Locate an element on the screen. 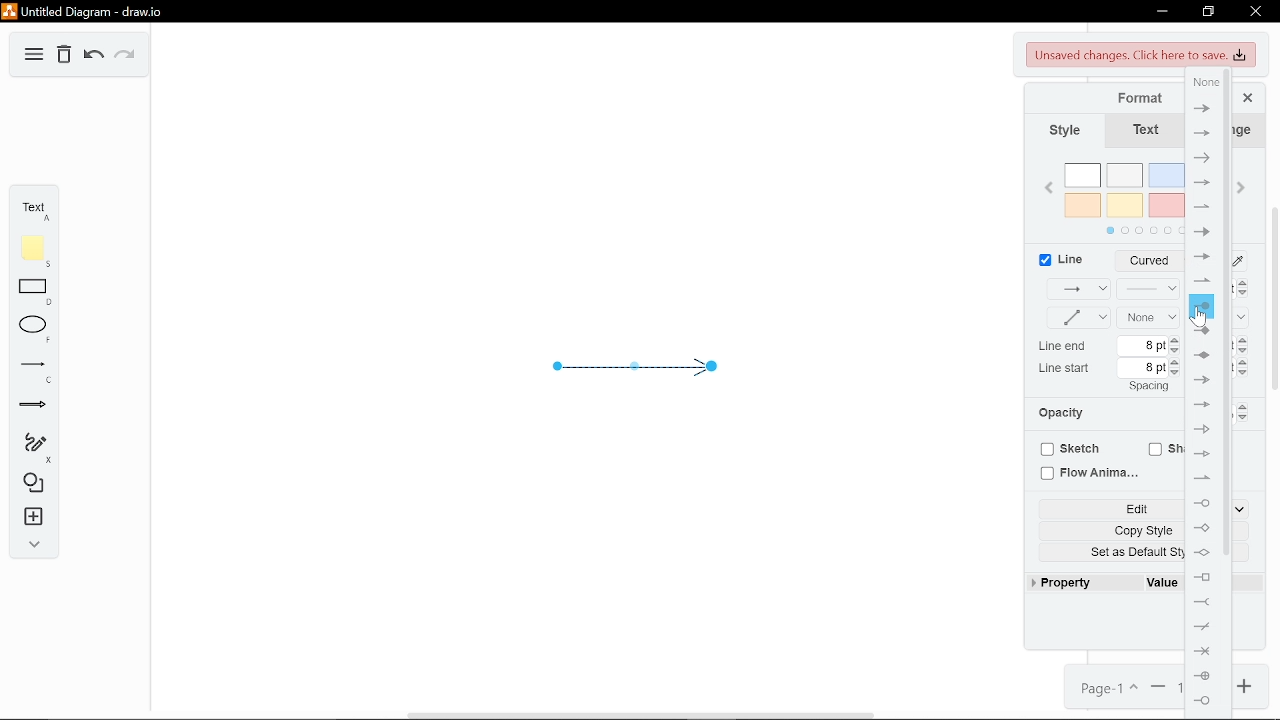 This screenshot has height=720, width=1280. Opacity is located at coordinates (1069, 415).